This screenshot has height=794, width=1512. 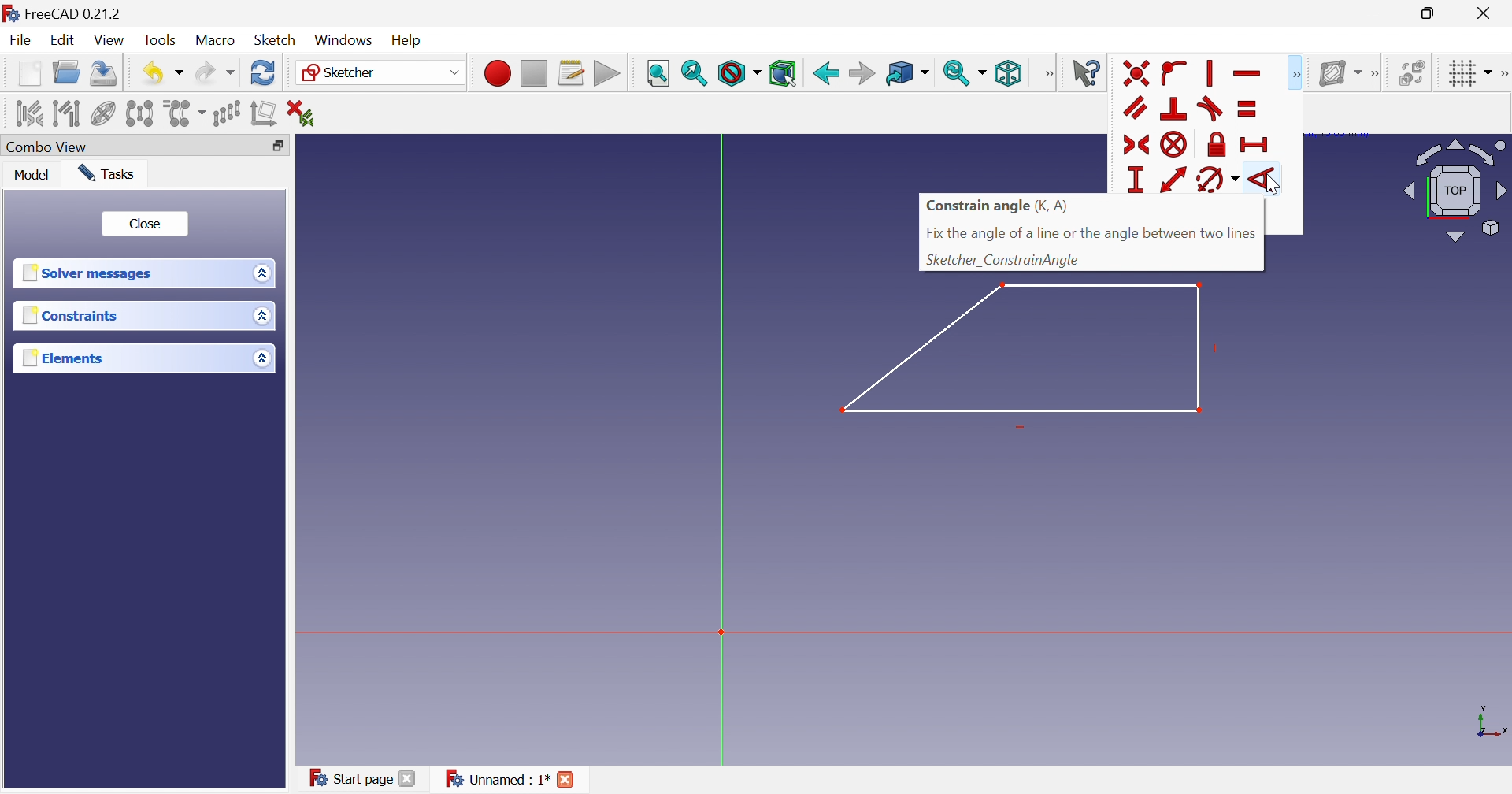 What do you see at coordinates (1093, 233) in the screenshot?
I see `Fix the angle of a line or the angle between two lines` at bounding box center [1093, 233].